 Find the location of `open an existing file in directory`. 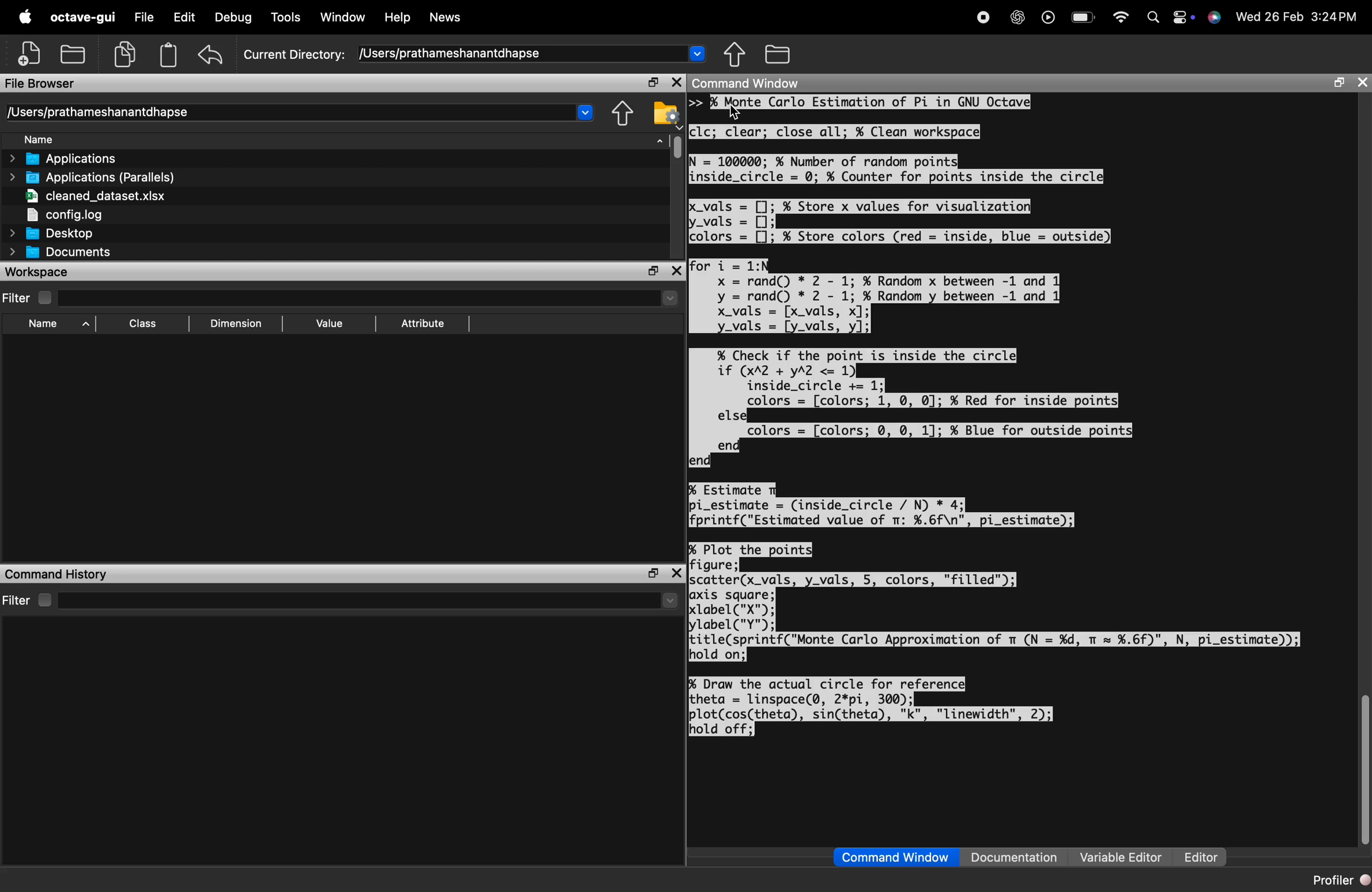

open an existing file in directory is located at coordinates (74, 54).